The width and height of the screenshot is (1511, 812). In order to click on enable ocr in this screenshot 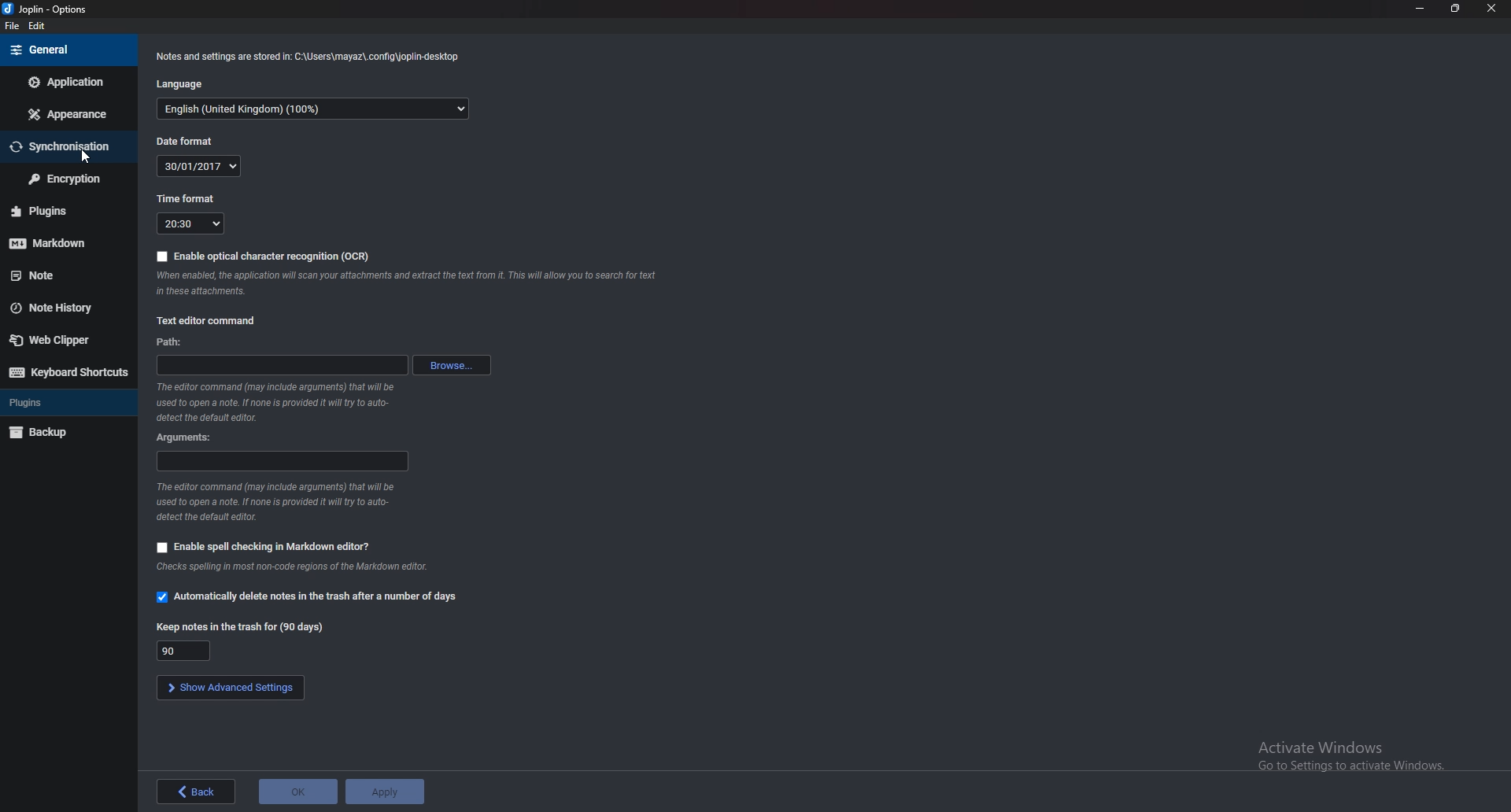, I will do `click(262, 254)`.